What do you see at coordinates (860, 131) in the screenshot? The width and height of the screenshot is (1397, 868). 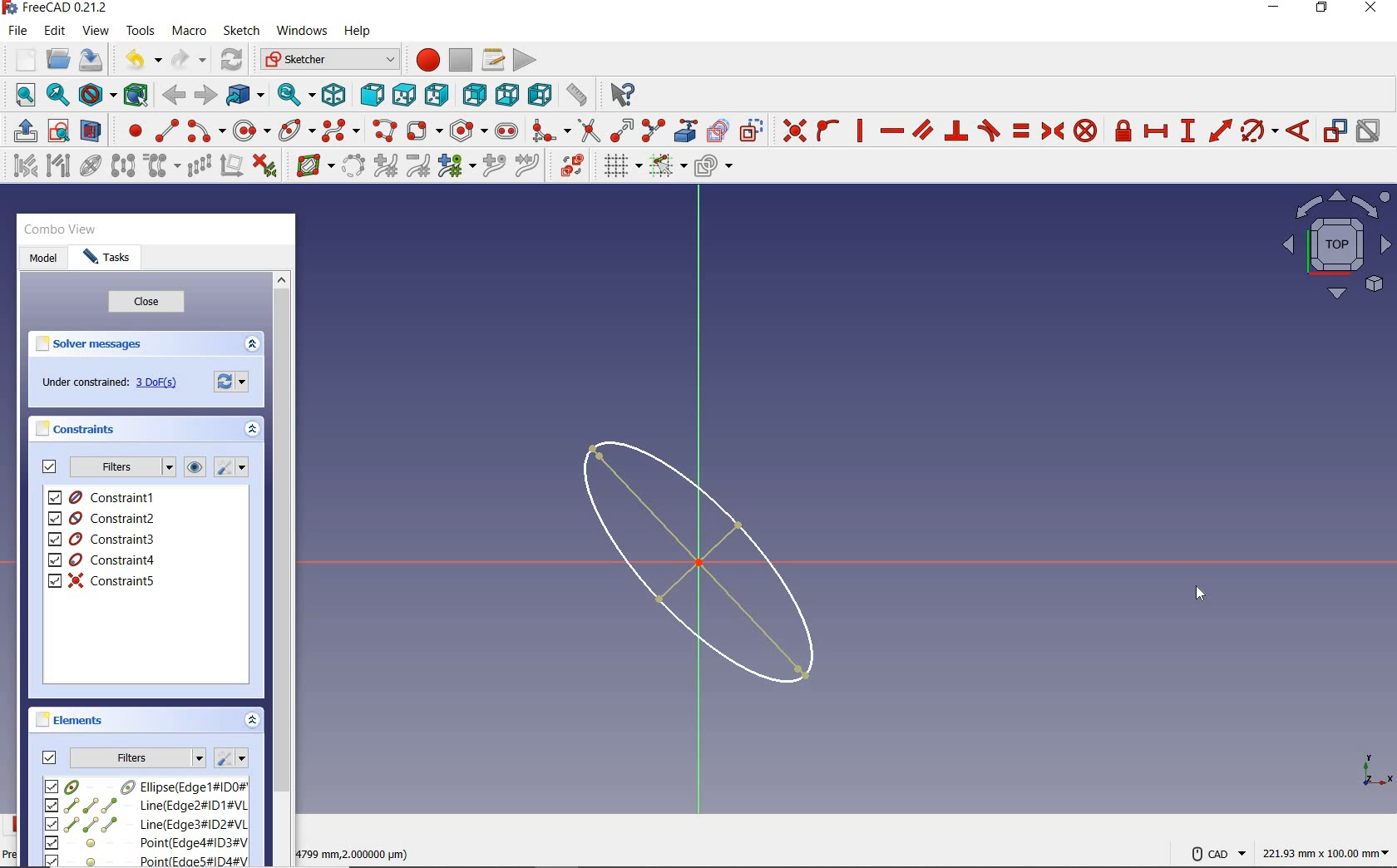 I see `constrain vertically` at bounding box center [860, 131].